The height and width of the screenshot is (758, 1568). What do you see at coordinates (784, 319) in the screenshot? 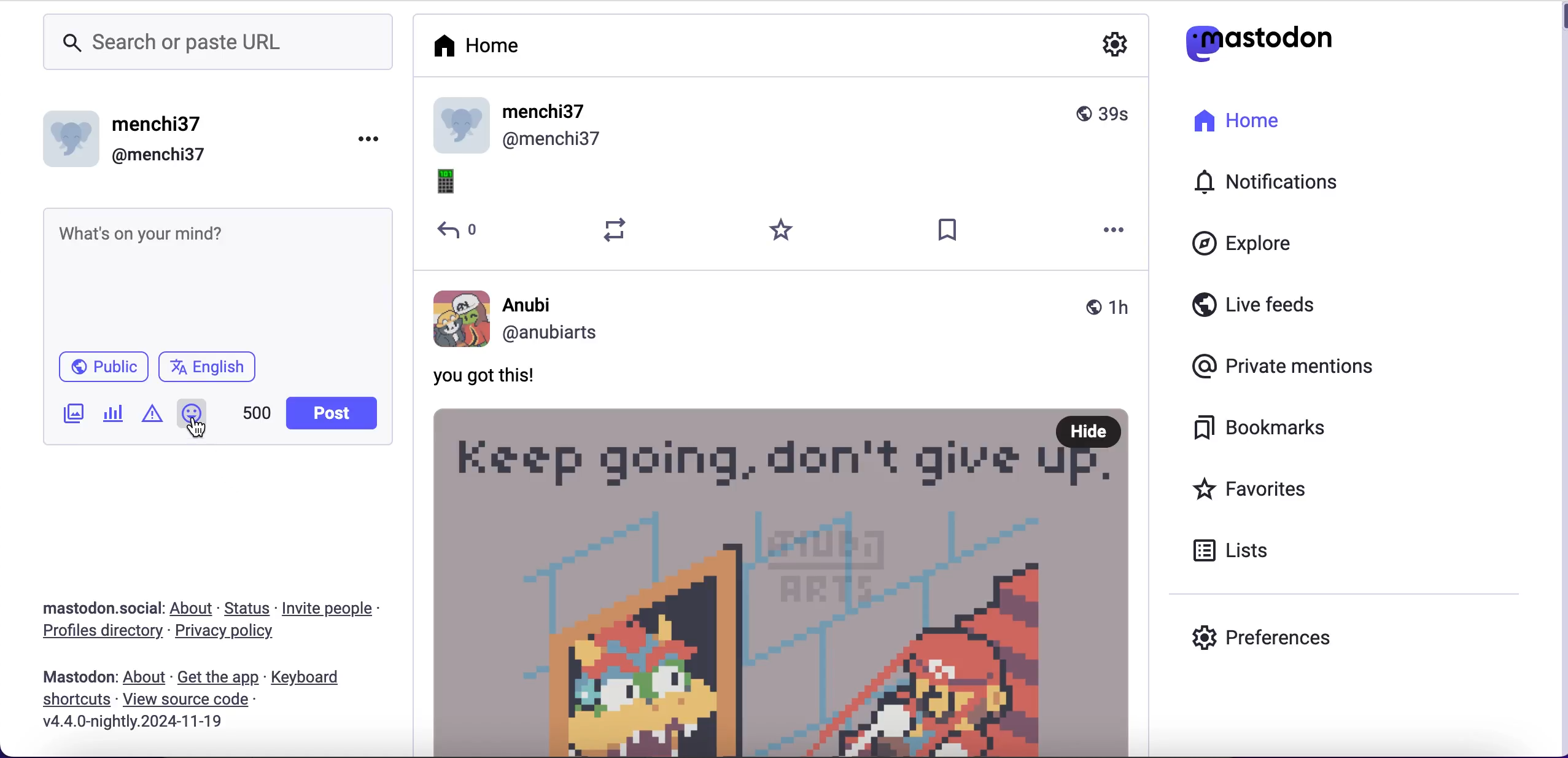
I see `Anubi @anubiarts` at bounding box center [784, 319].